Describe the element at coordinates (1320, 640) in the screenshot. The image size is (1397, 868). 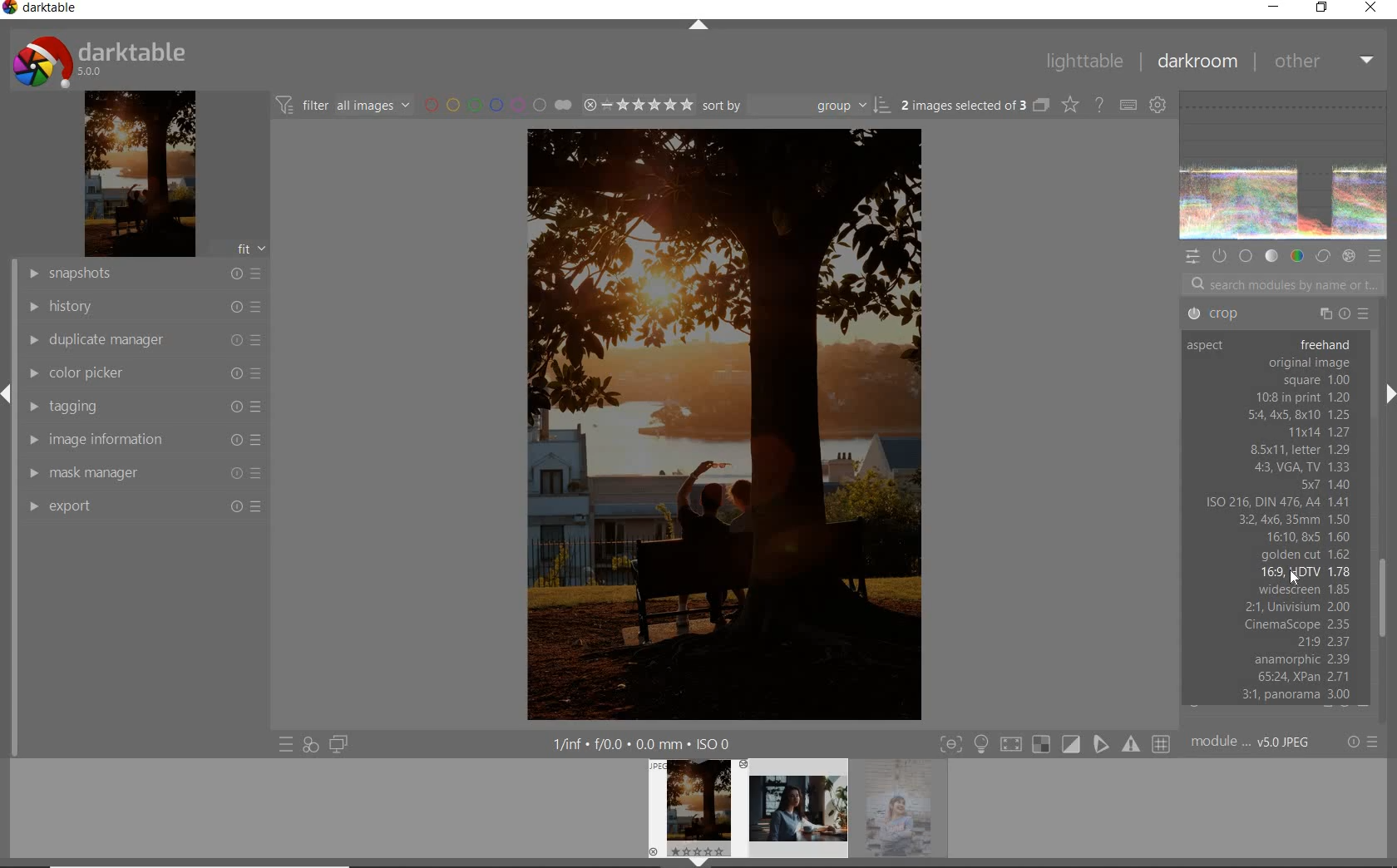
I see `21:9, 2.37` at that location.